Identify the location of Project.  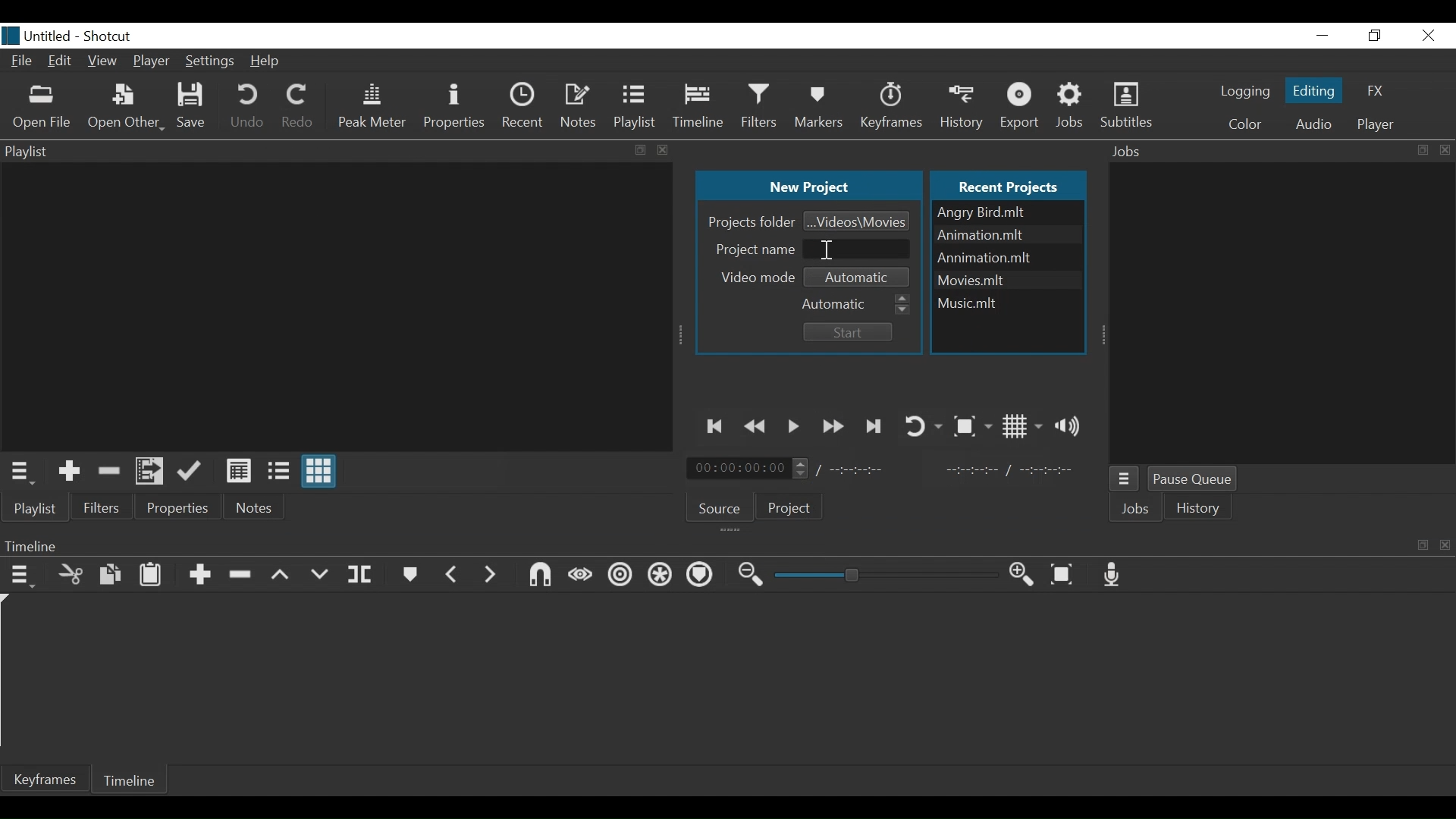
(790, 510).